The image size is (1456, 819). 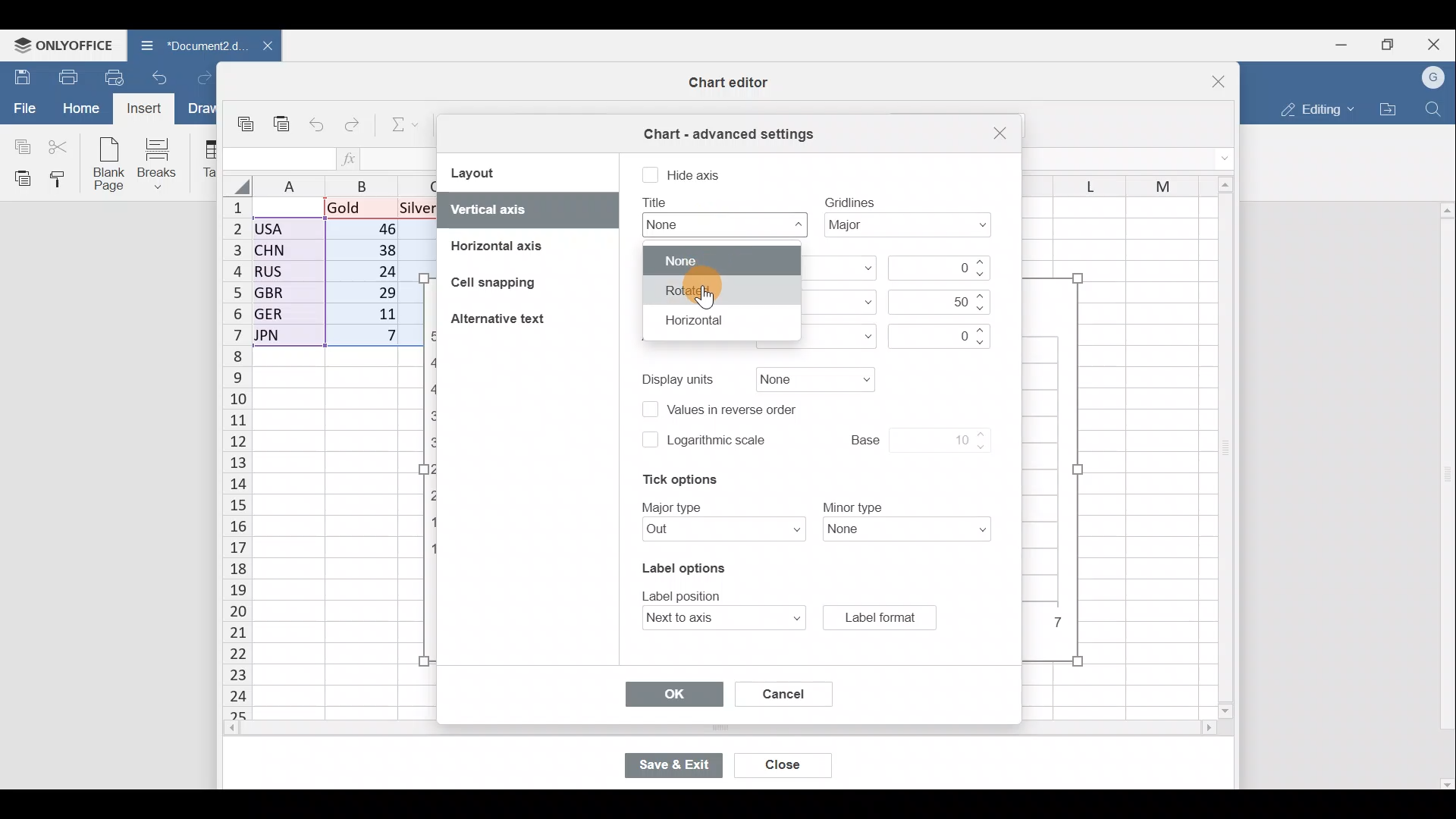 I want to click on Label options, so click(x=681, y=565).